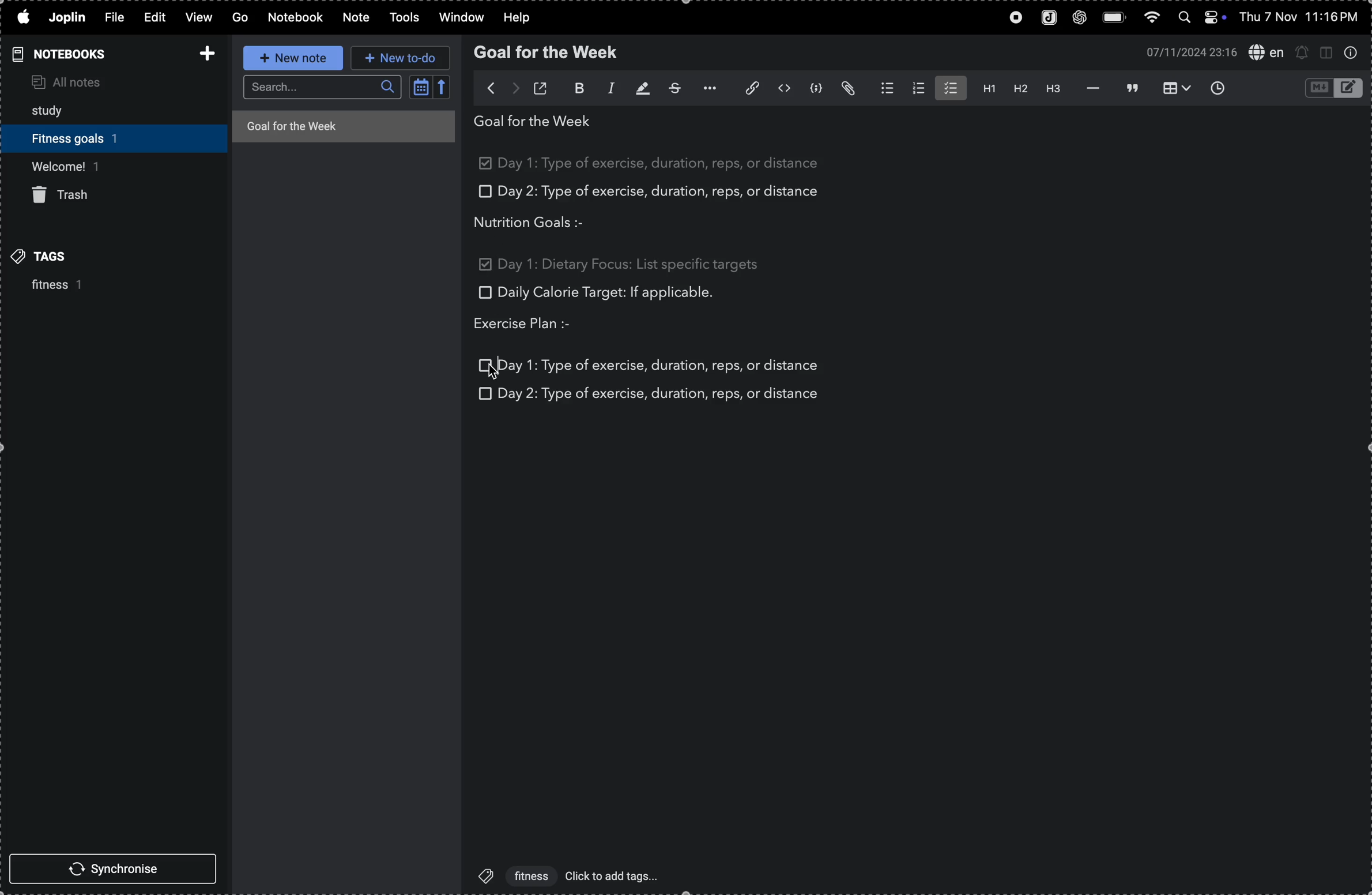 Image resolution: width=1372 pixels, height=895 pixels. Describe the element at coordinates (706, 88) in the screenshot. I see `options` at that location.